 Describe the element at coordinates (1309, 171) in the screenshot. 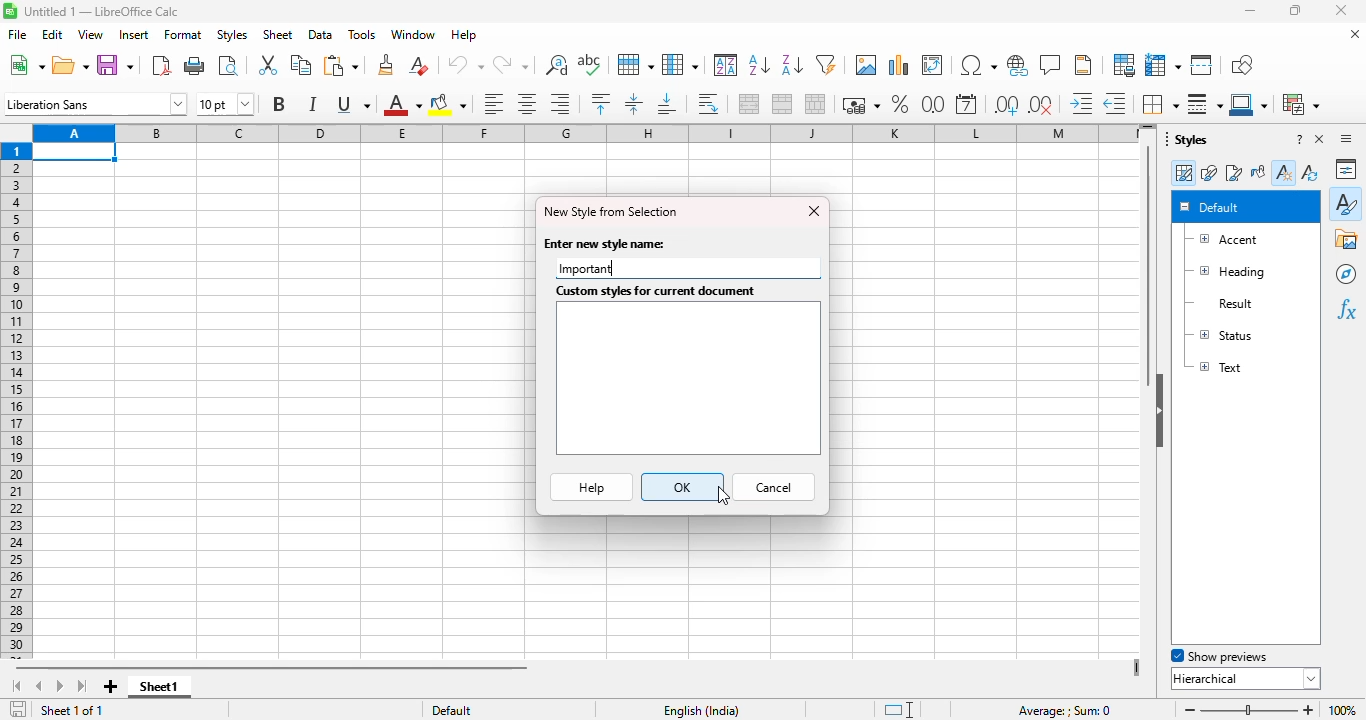

I see `update style` at that location.